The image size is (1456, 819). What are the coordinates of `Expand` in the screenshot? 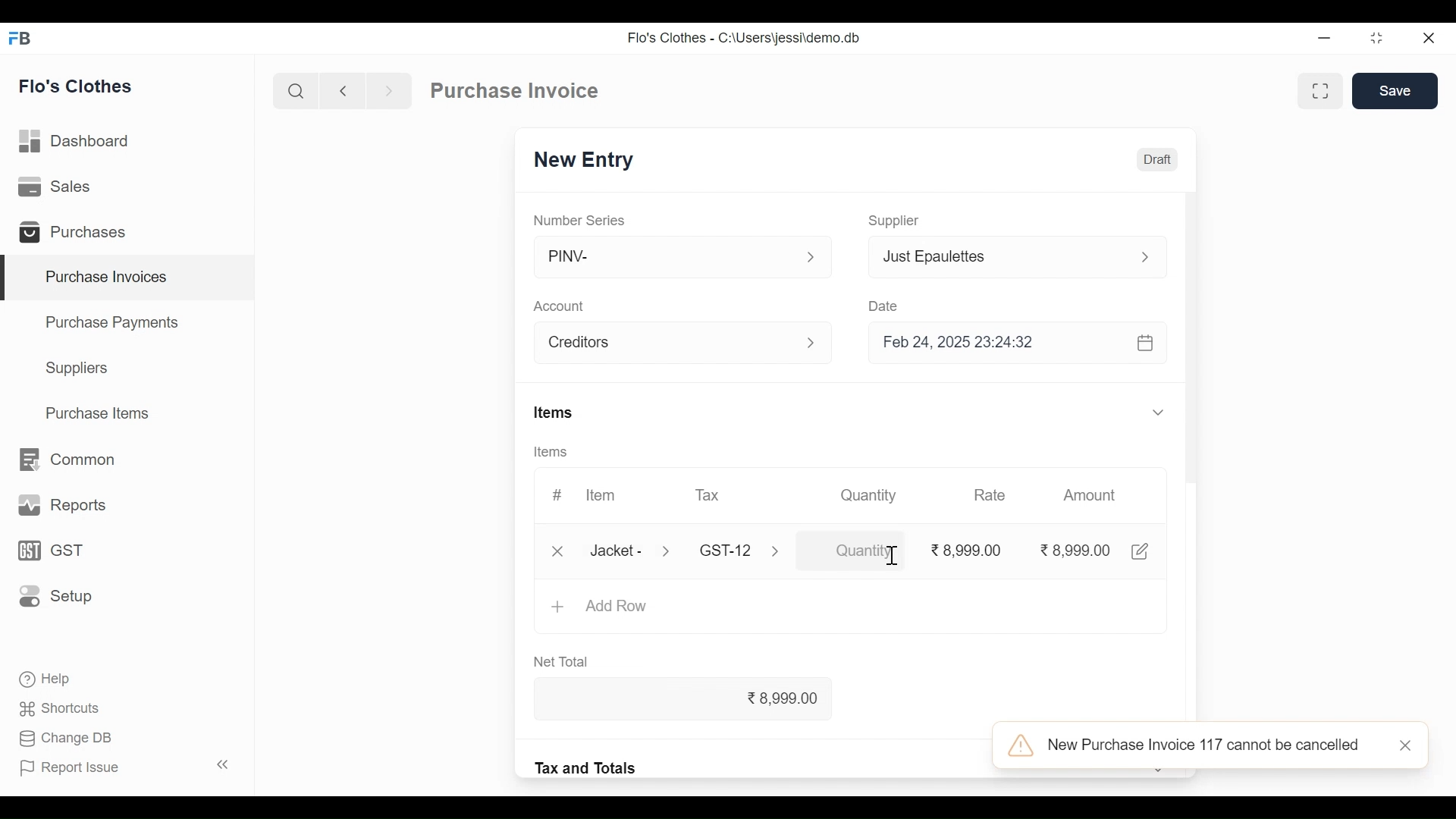 It's located at (783, 553).